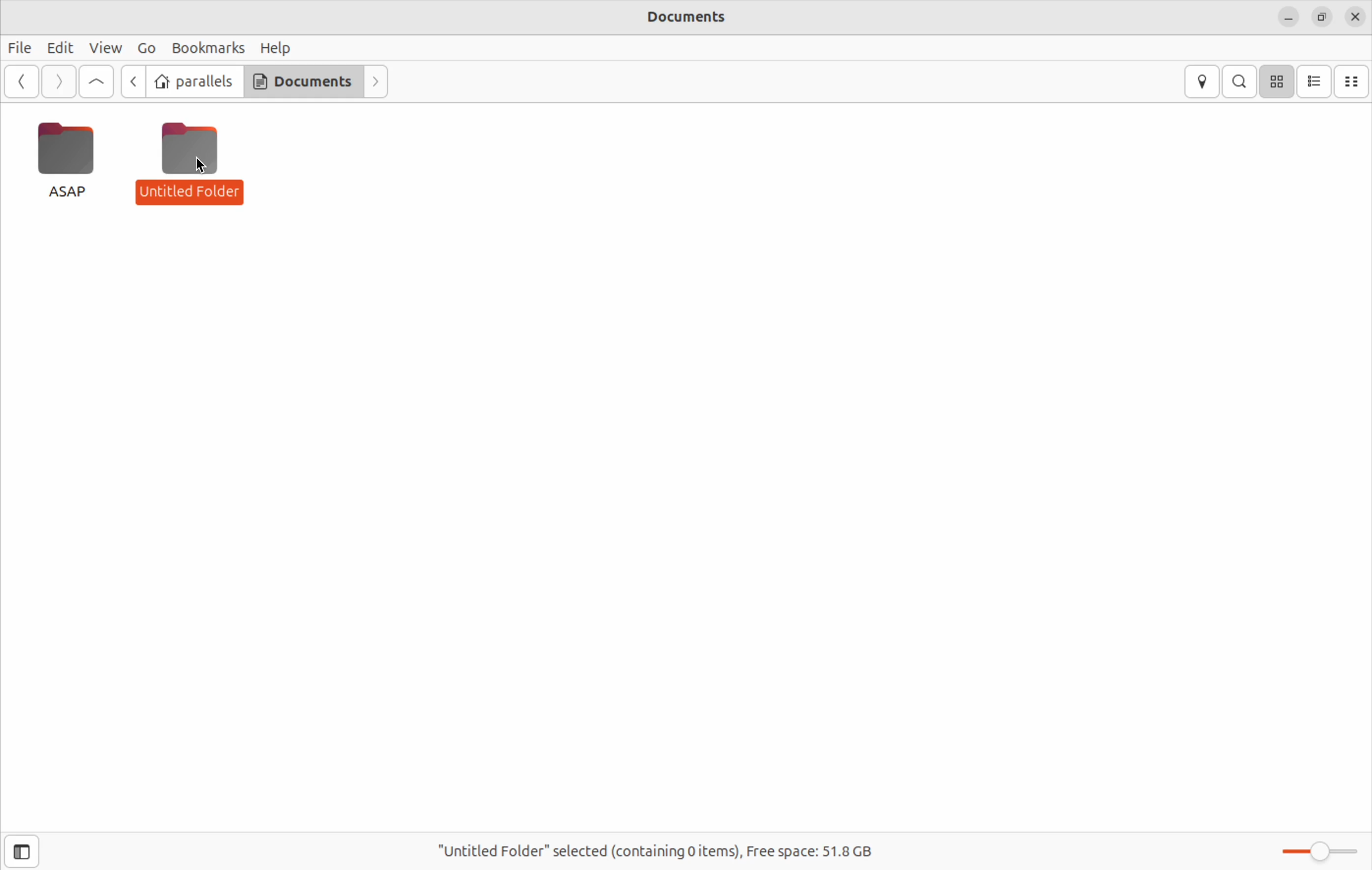  What do you see at coordinates (34, 850) in the screenshot?
I see `open sidebar` at bounding box center [34, 850].